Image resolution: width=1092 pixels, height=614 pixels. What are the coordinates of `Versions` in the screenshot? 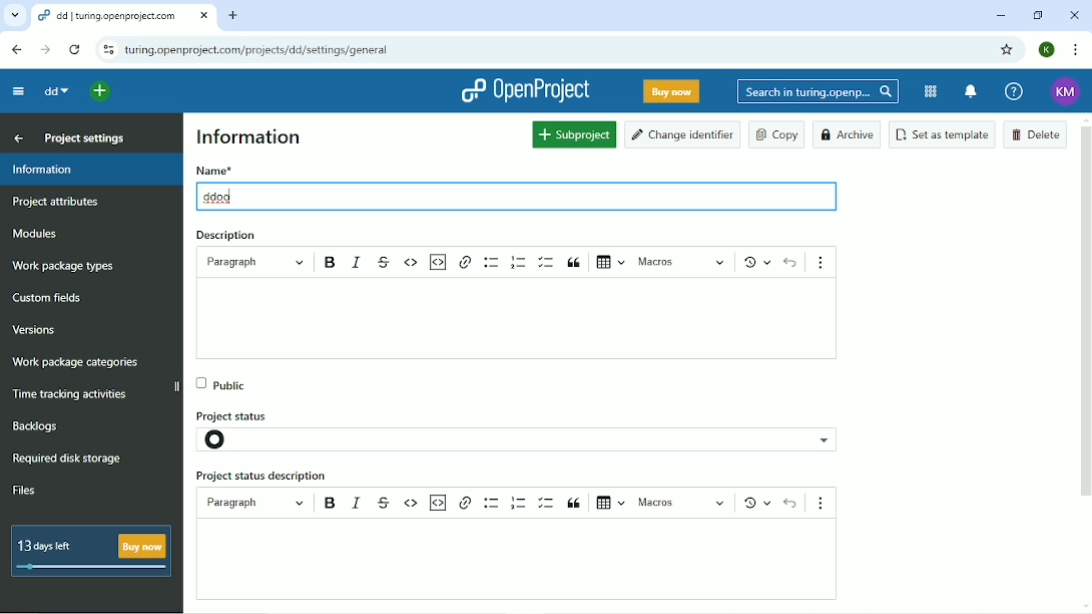 It's located at (34, 331).